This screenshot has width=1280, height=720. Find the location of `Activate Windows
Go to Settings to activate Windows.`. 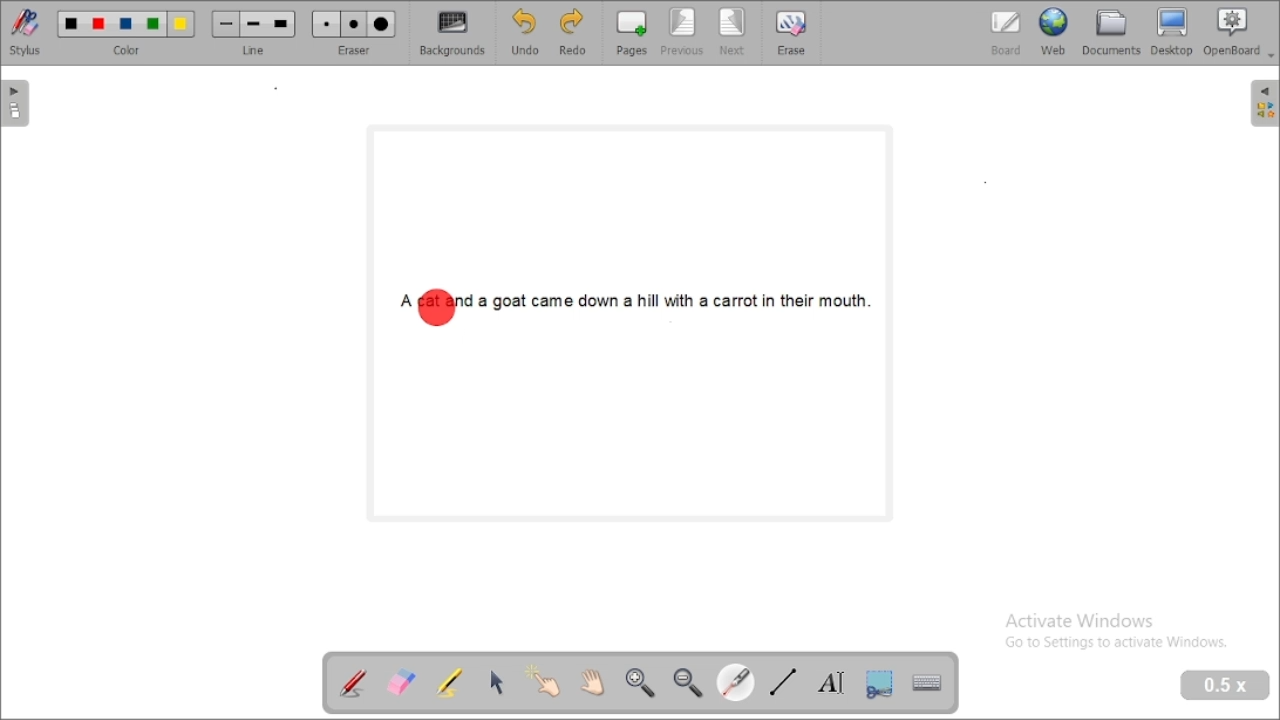

Activate Windows
Go to Settings to activate Windows. is located at coordinates (1118, 633).